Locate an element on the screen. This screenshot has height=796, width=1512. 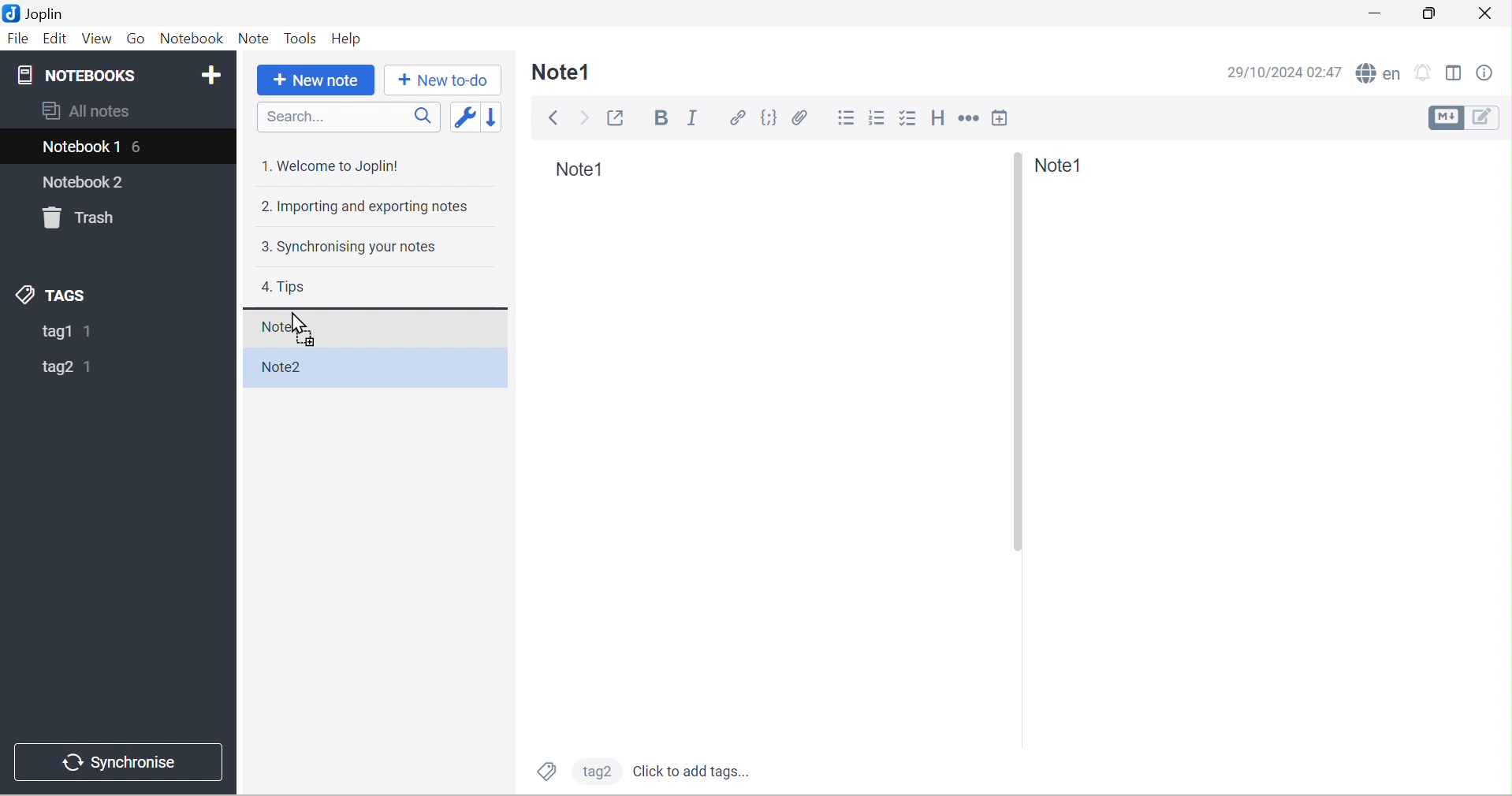
2. Importing and exporting notes is located at coordinates (363, 208).